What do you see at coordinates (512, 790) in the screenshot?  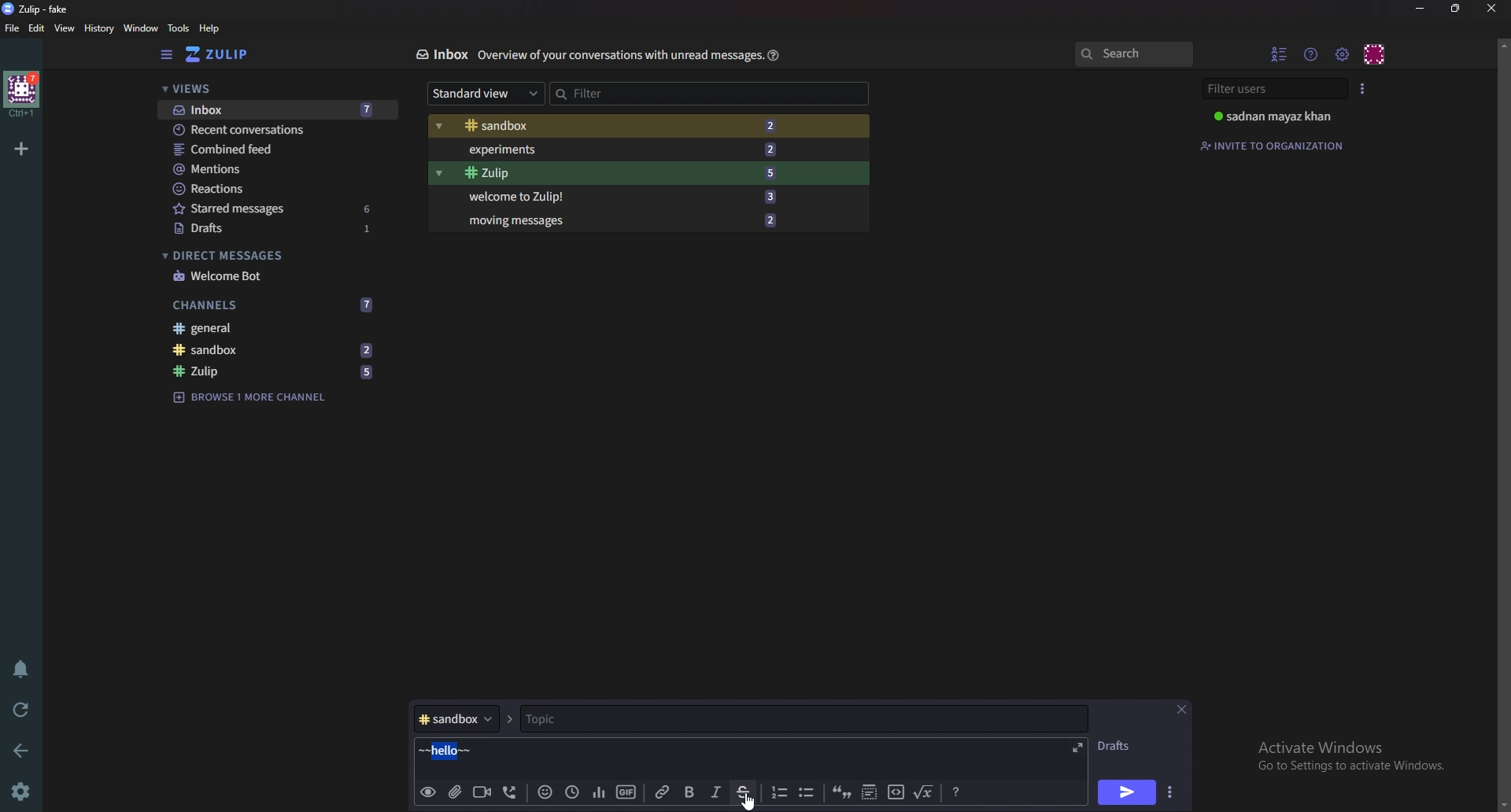 I see `voice call` at bounding box center [512, 790].